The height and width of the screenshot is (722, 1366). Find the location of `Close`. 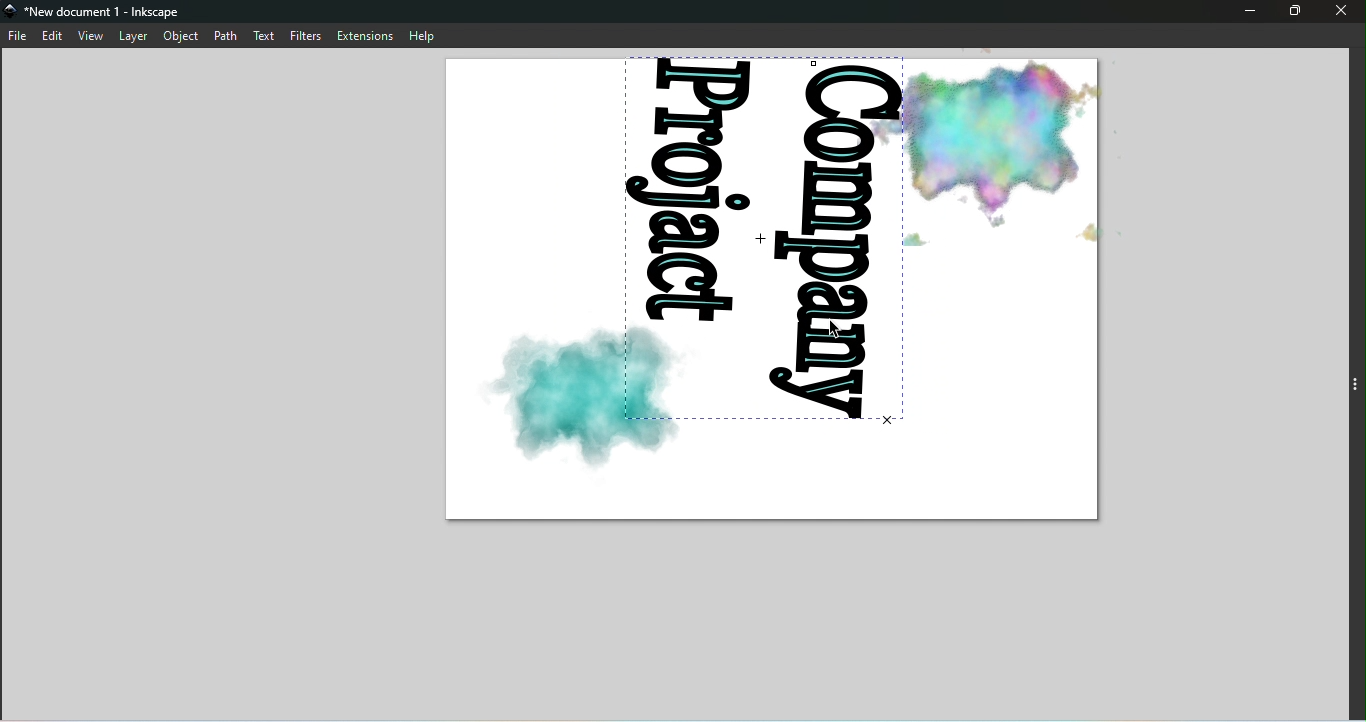

Close is located at coordinates (1345, 13).